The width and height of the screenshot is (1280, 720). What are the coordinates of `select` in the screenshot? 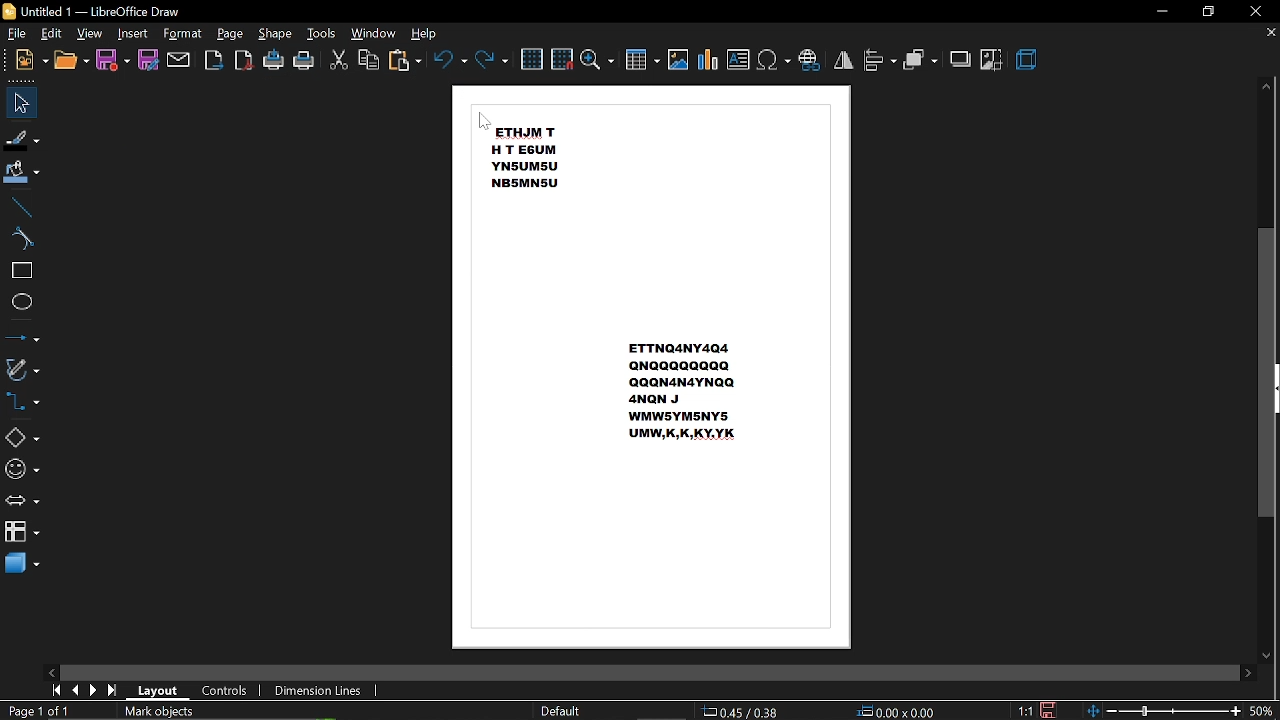 It's located at (21, 103).